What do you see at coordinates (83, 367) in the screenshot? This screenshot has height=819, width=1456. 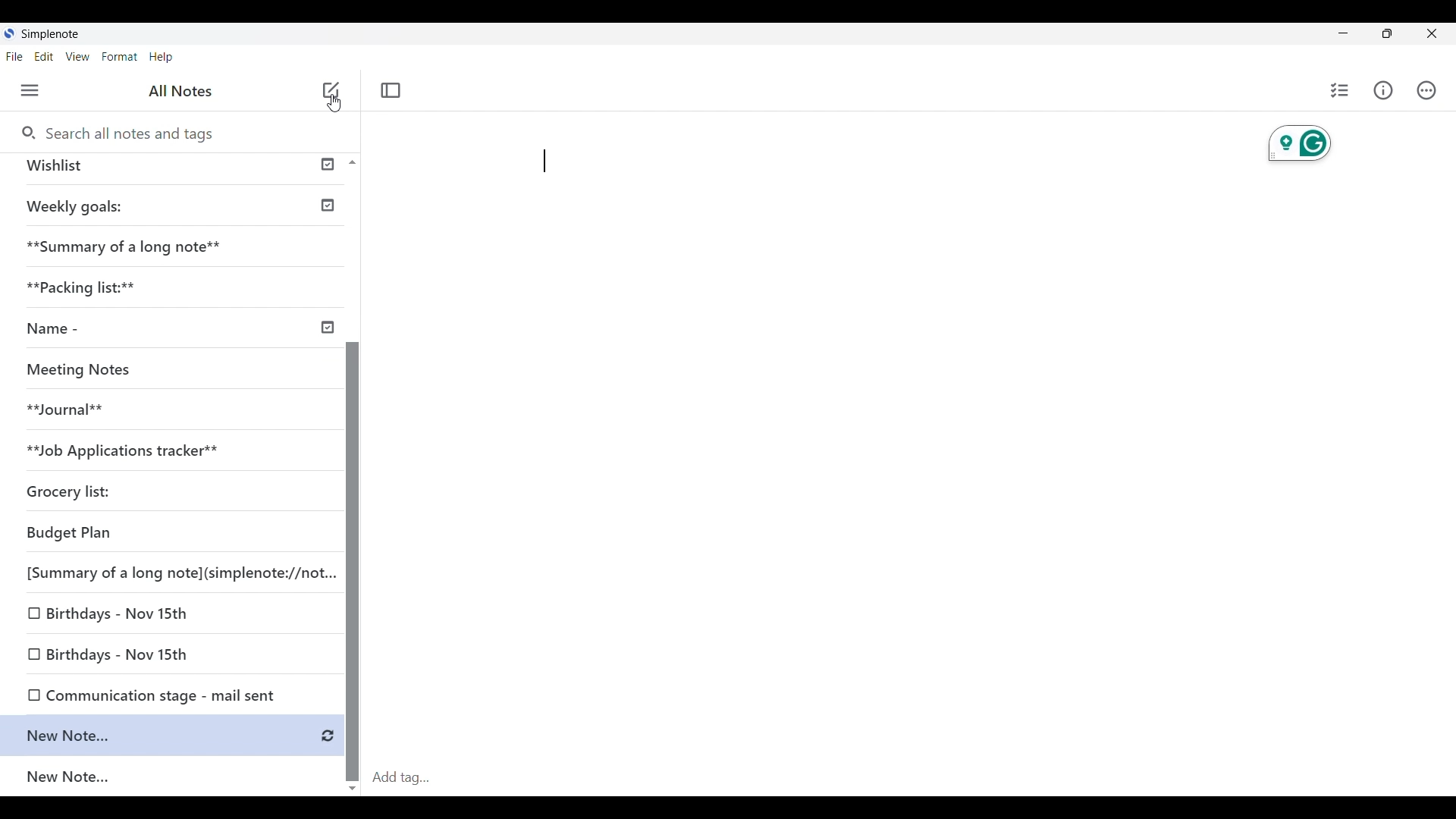 I see `Meeting Notes` at bounding box center [83, 367].